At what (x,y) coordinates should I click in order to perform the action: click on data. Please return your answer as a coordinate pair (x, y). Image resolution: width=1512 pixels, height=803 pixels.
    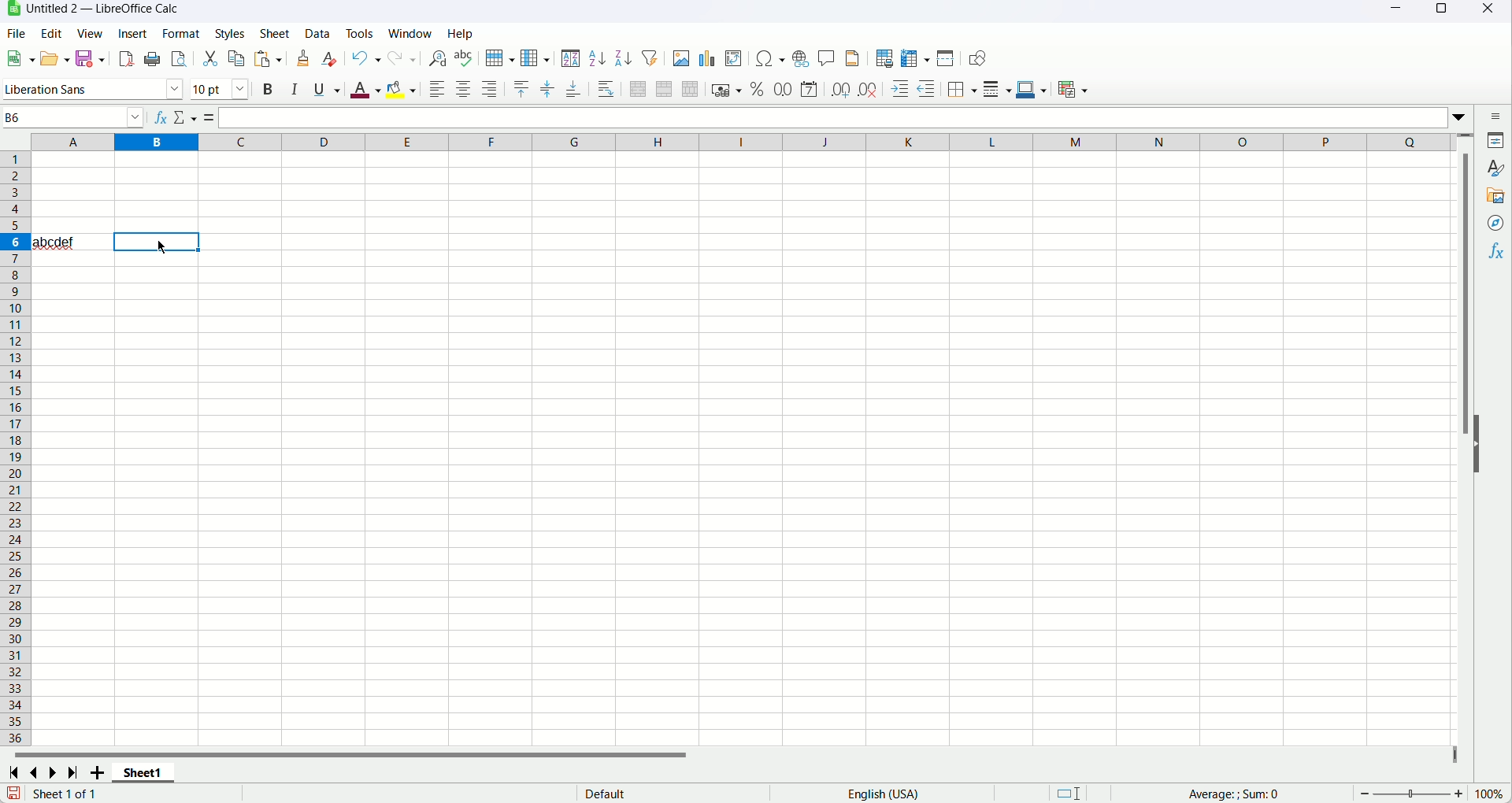
    Looking at the image, I should click on (317, 31).